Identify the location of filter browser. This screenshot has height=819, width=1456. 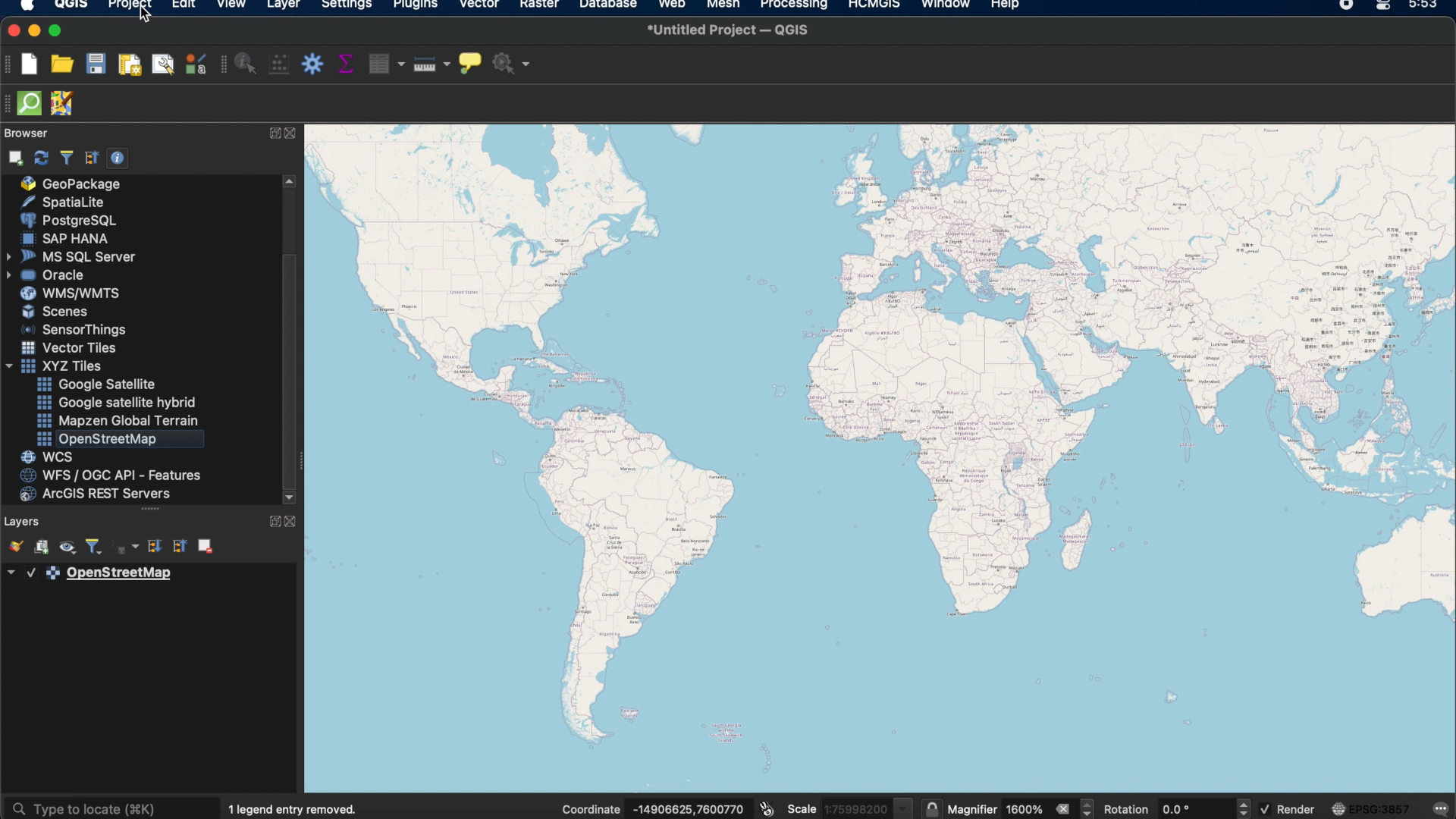
(67, 156).